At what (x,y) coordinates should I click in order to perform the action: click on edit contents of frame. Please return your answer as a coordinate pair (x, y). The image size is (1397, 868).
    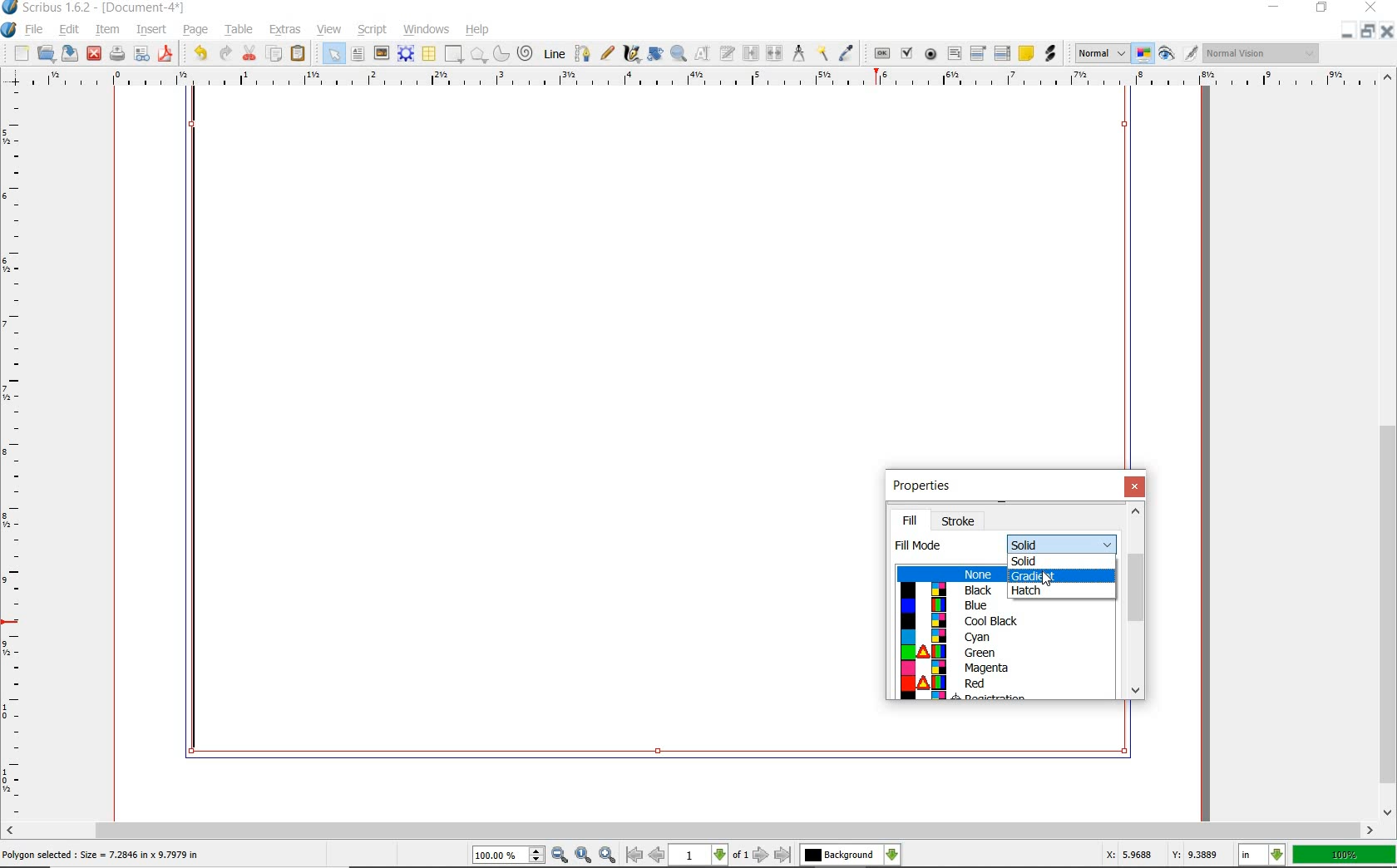
    Looking at the image, I should click on (701, 53).